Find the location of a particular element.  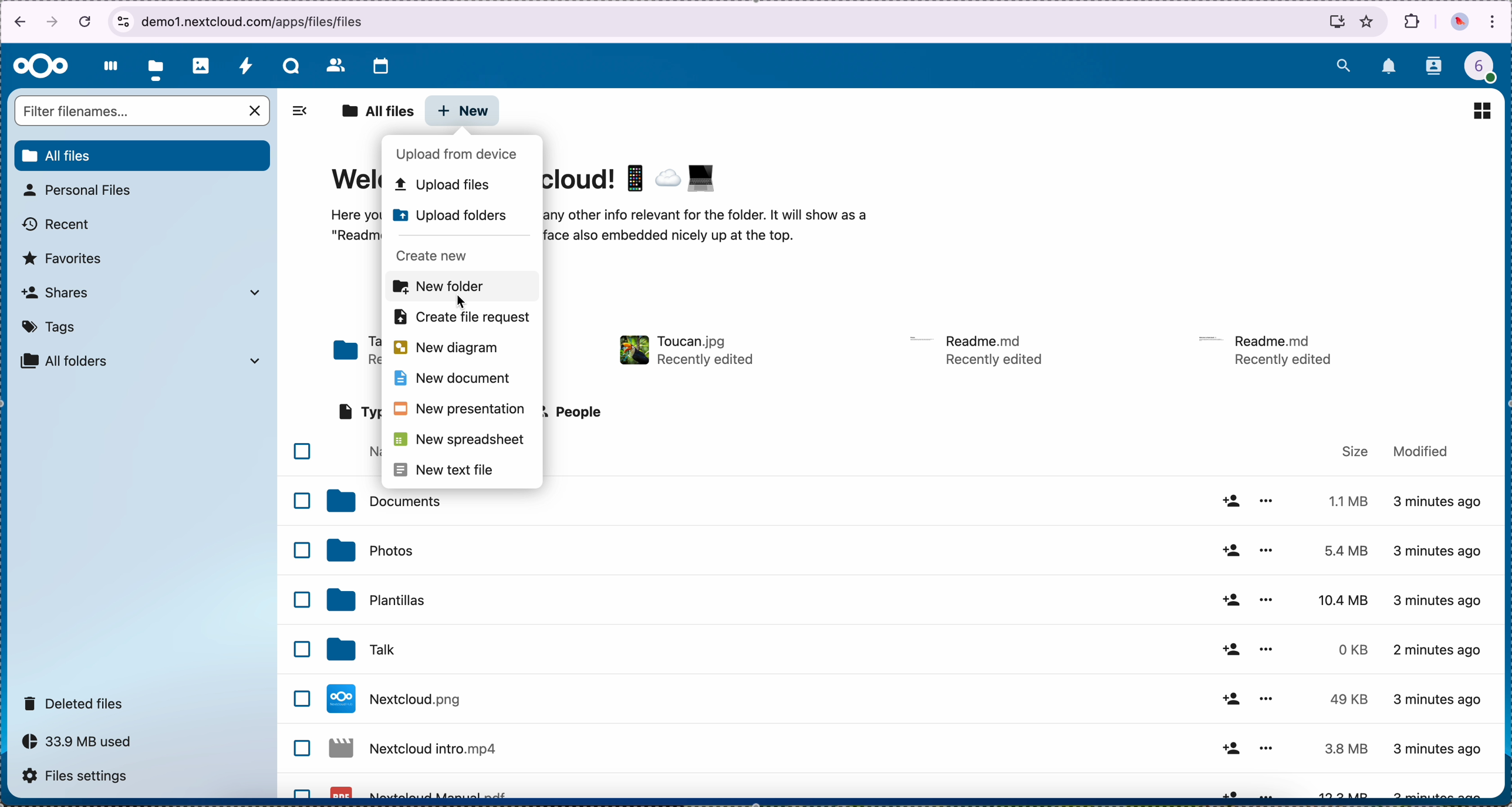

people is located at coordinates (575, 411).